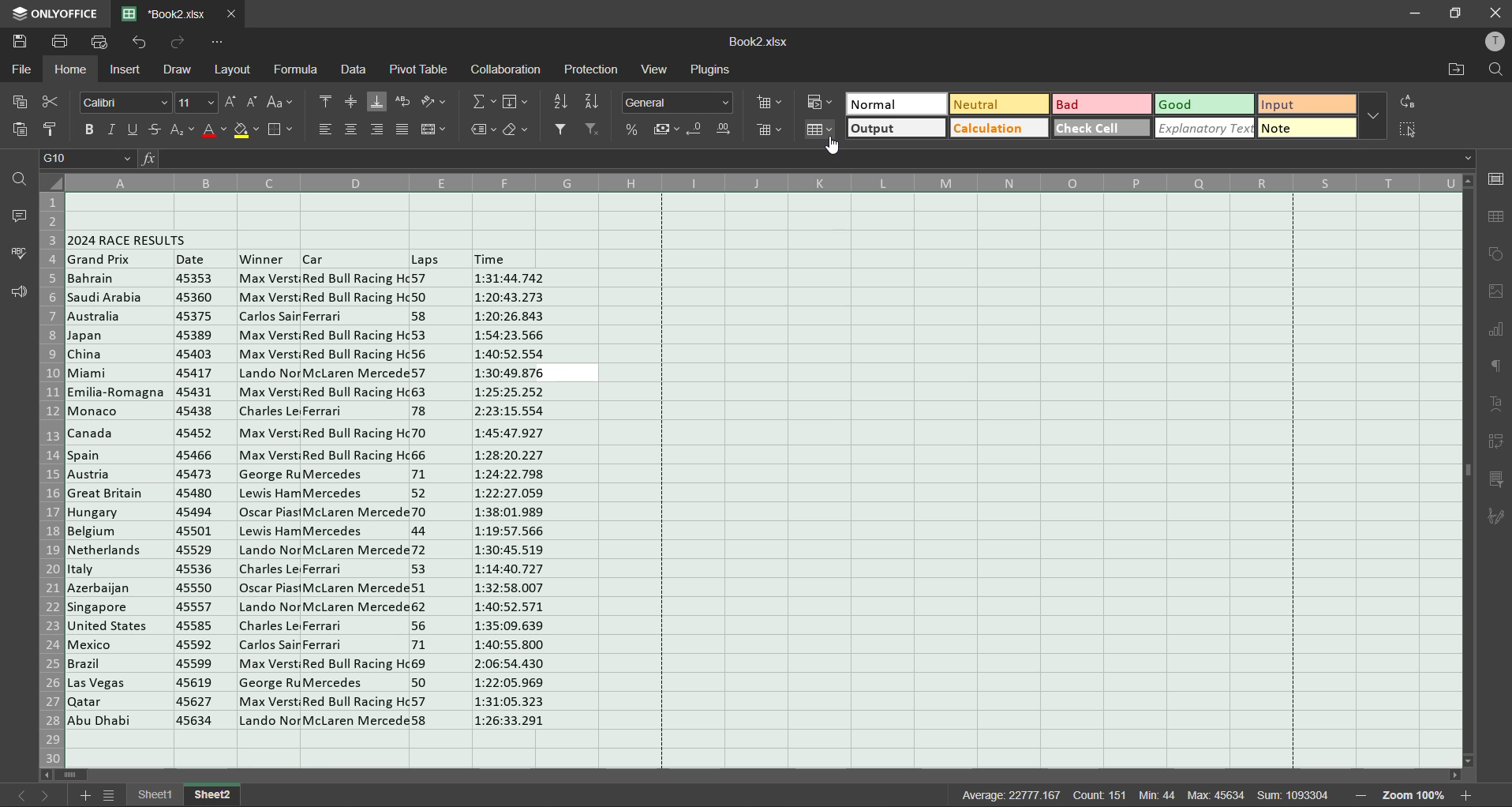 The height and width of the screenshot is (807, 1512). Describe the element at coordinates (997, 129) in the screenshot. I see `calculation` at that location.